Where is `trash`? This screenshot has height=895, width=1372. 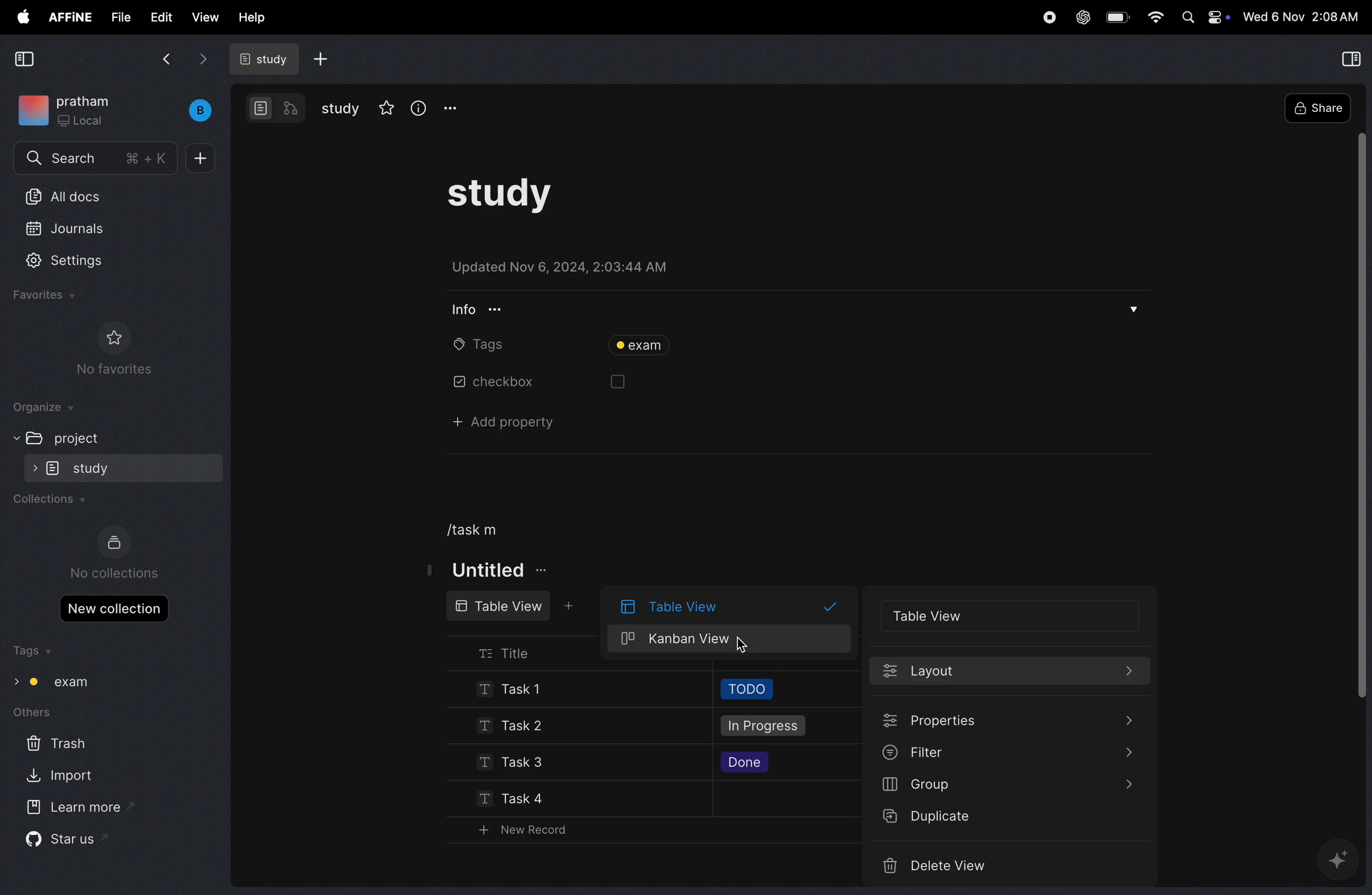 trash is located at coordinates (52, 744).